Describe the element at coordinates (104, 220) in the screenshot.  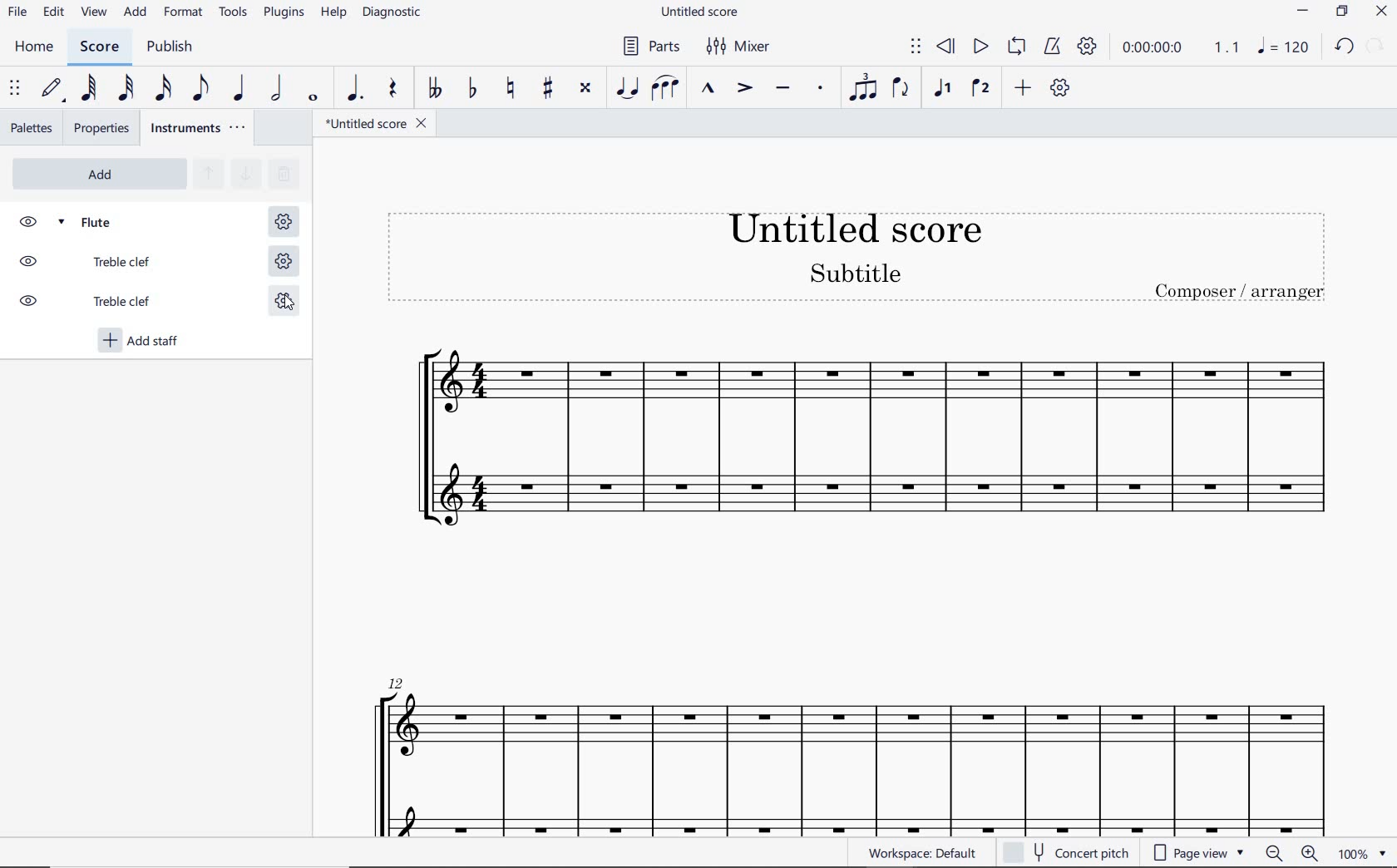
I see `FLUTE` at that location.